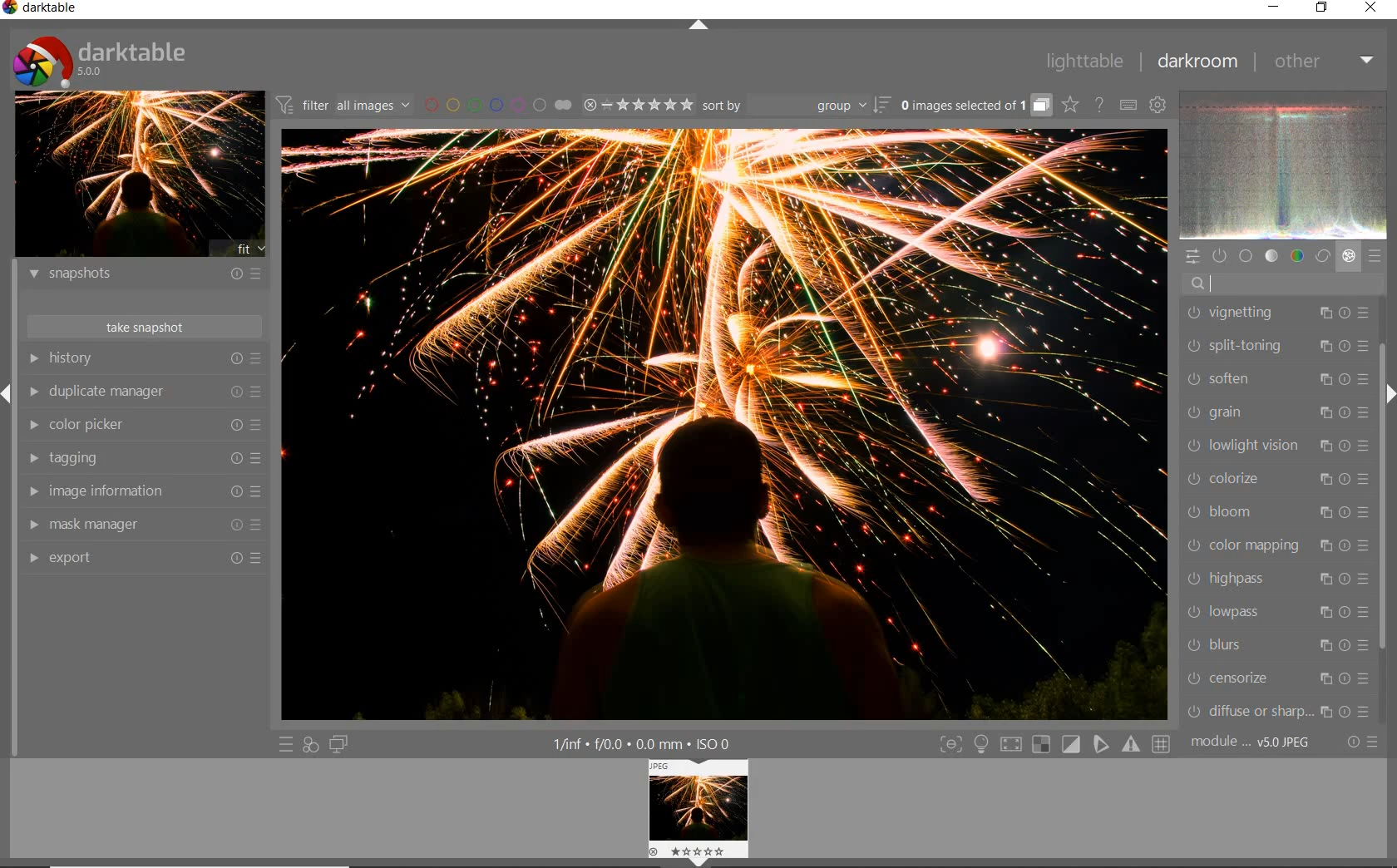 This screenshot has width=1397, height=868. What do you see at coordinates (146, 392) in the screenshot?
I see `duplicate manager` at bounding box center [146, 392].